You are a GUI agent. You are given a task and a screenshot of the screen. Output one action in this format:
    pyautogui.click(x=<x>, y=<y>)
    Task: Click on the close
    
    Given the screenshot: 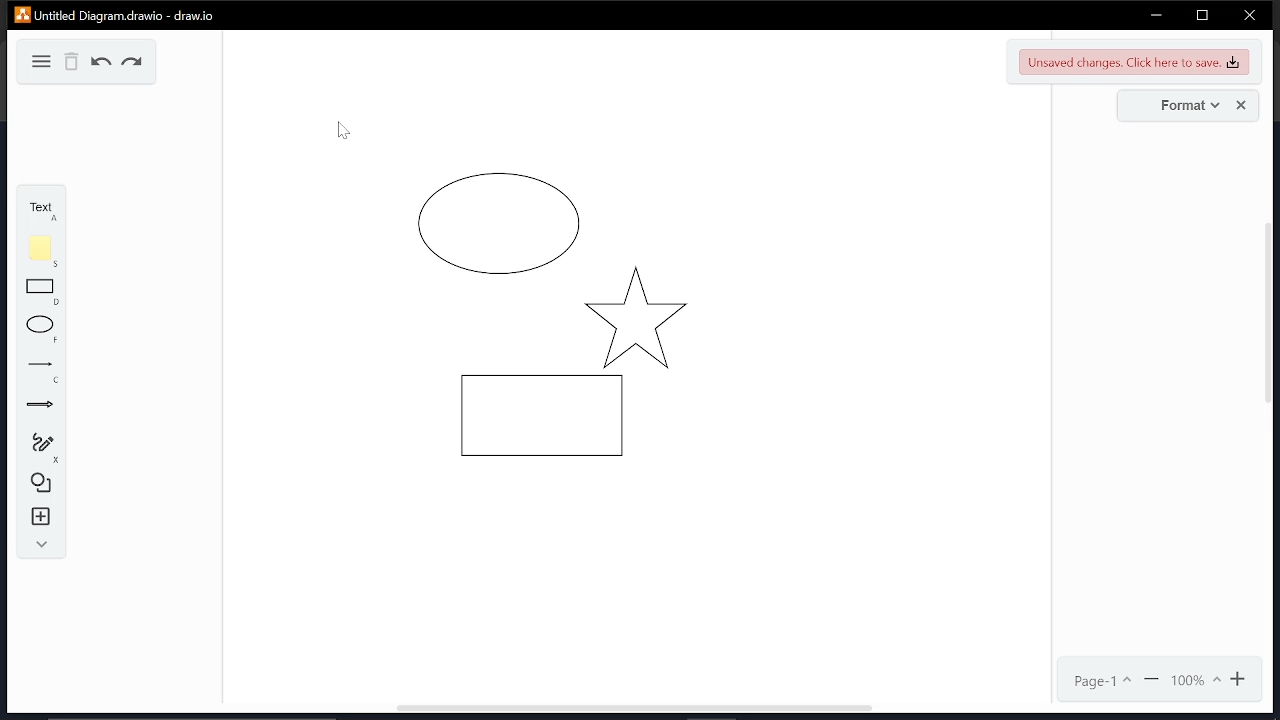 What is the action you would take?
    pyautogui.click(x=1249, y=17)
    